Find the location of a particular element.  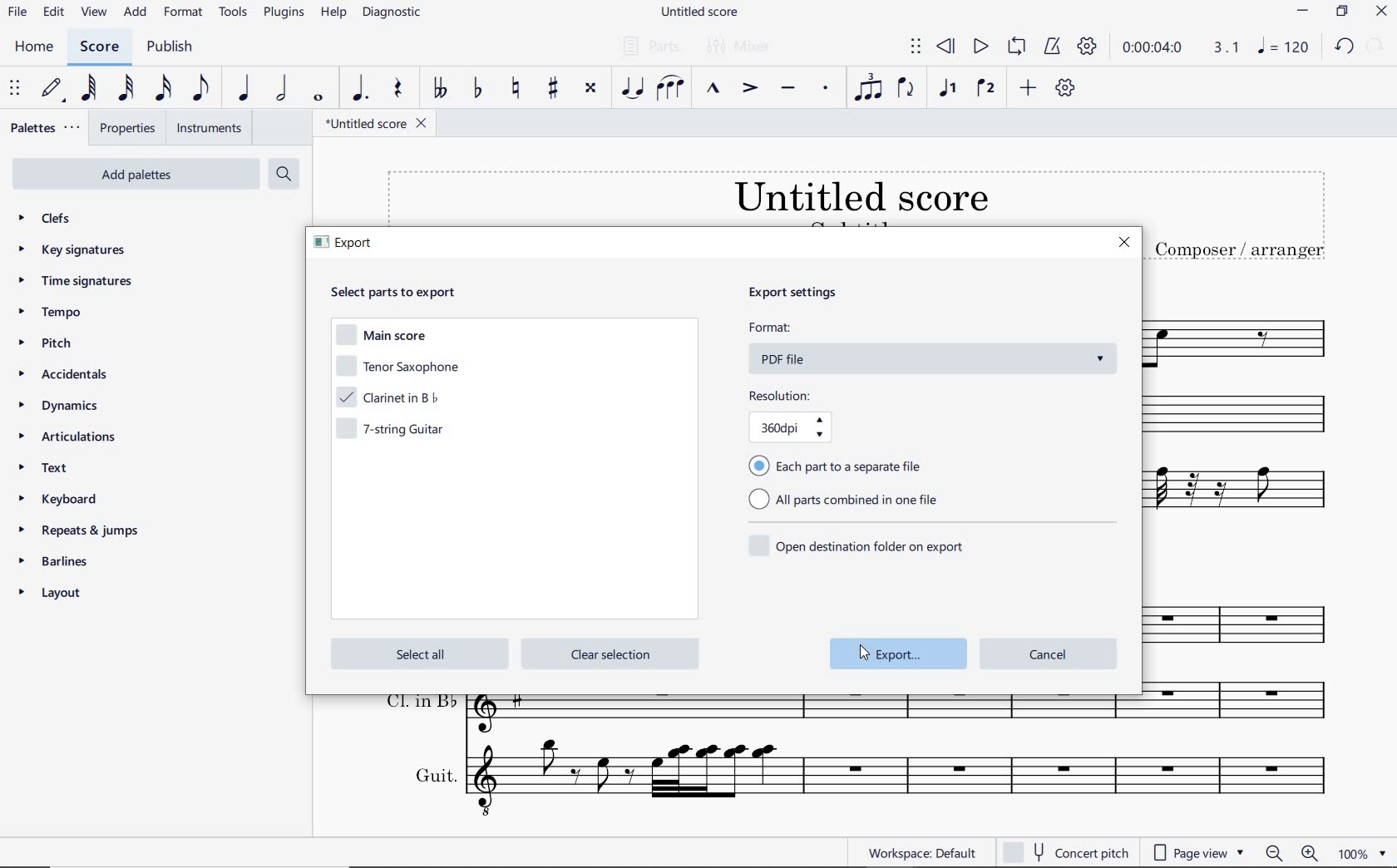

PLAY is located at coordinates (979, 46).